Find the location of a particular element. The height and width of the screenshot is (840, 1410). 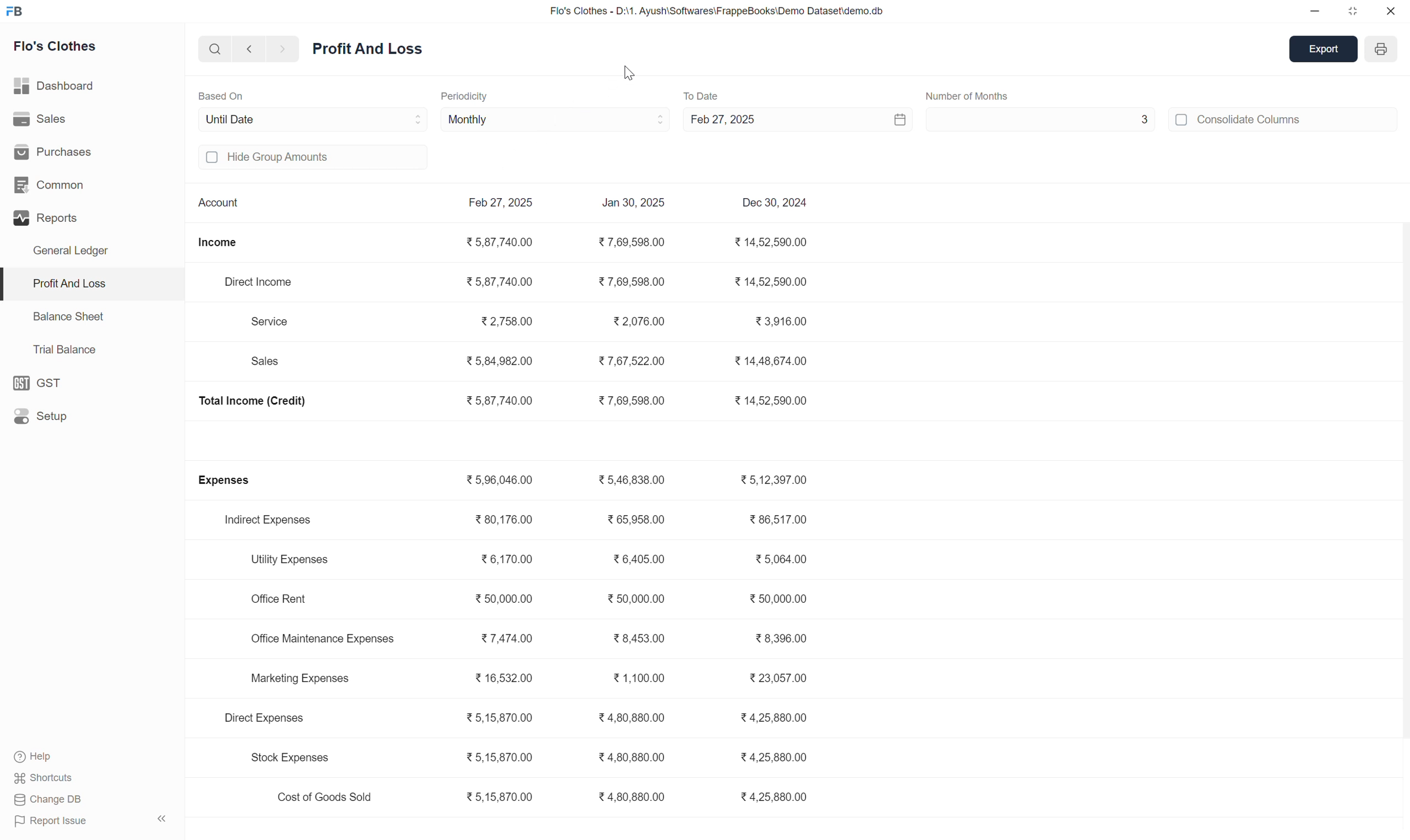

₹2,758.00 is located at coordinates (511, 321).